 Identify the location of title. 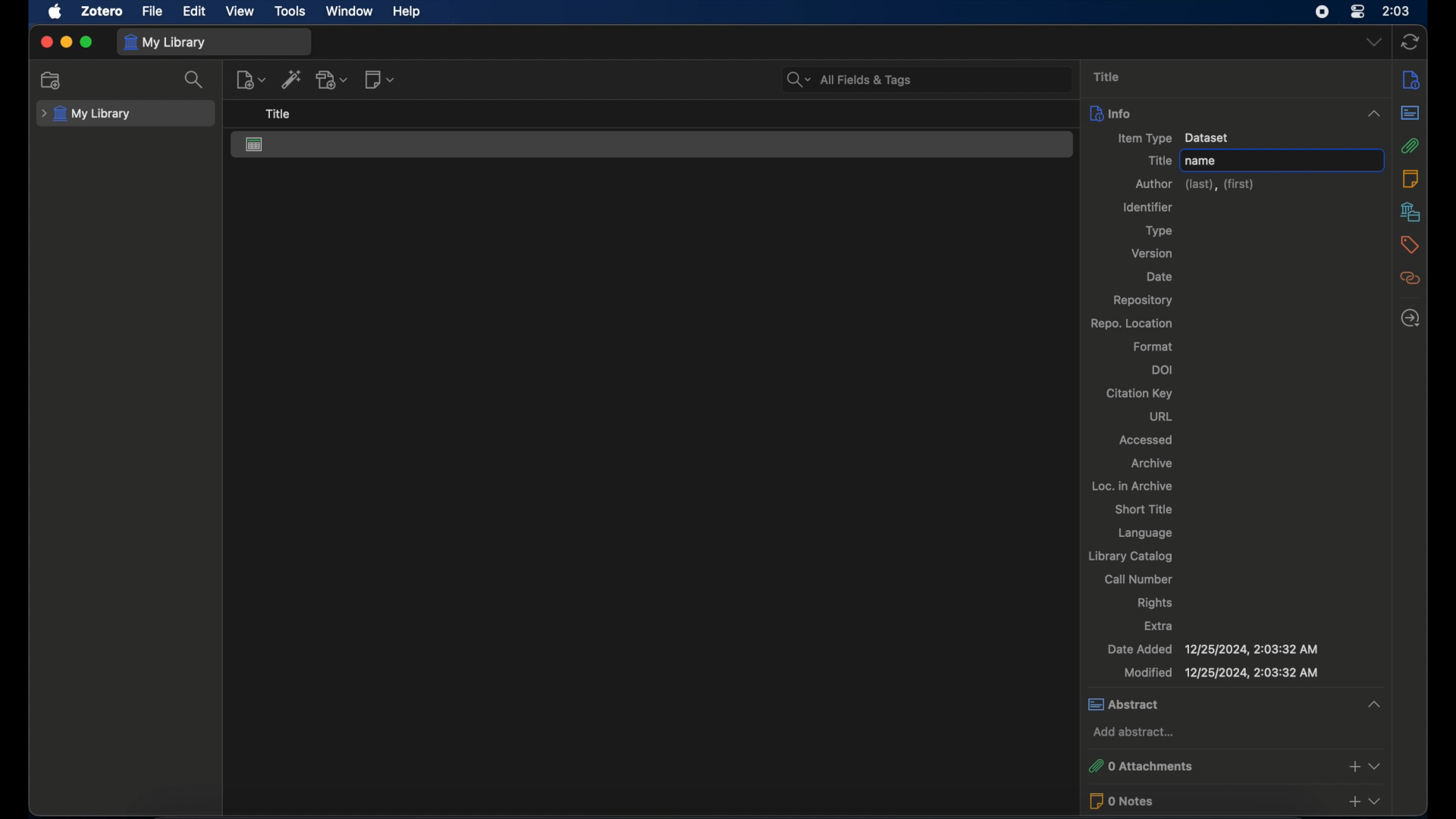
(277, 114).